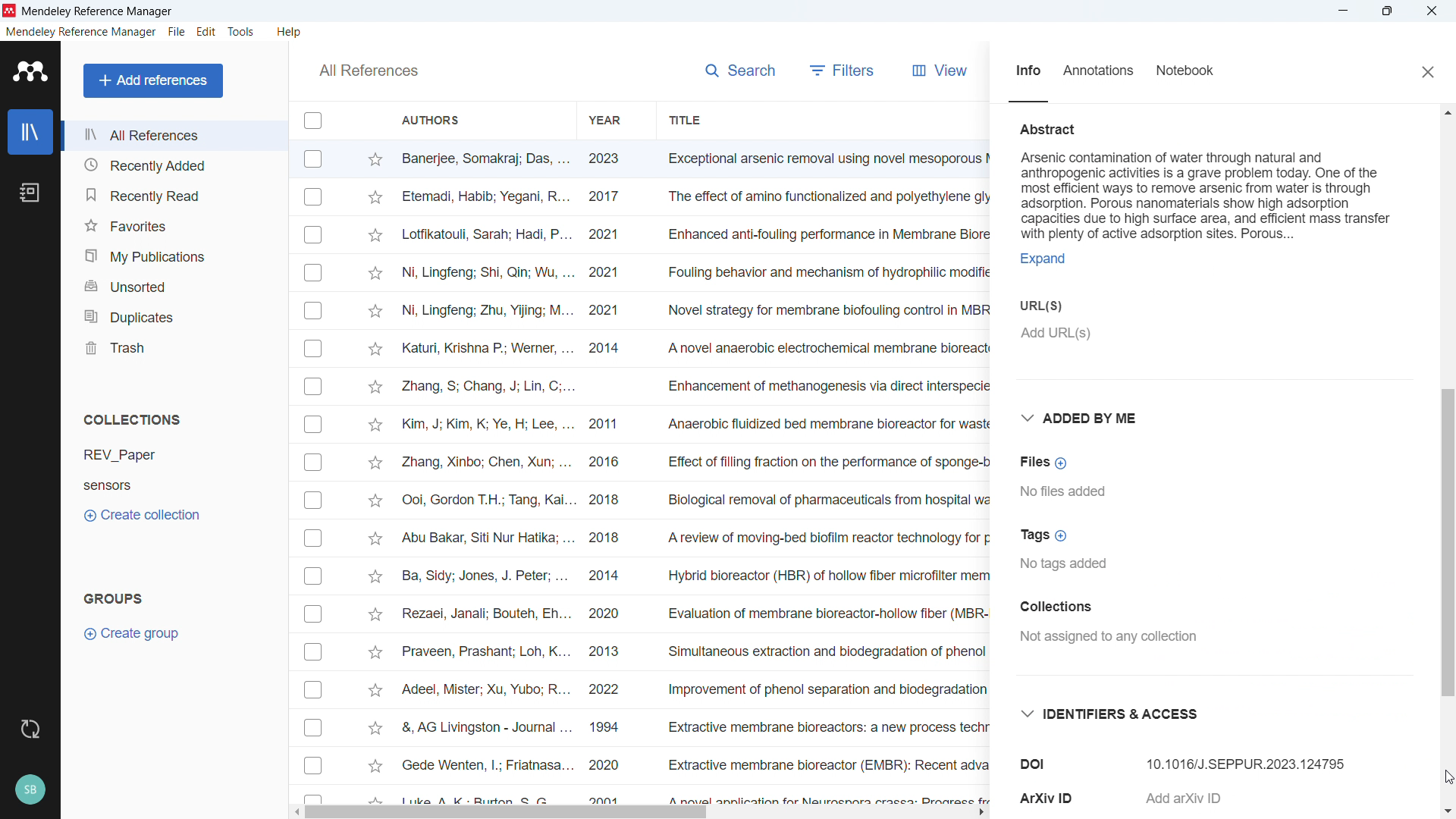 The height and width of the screenshot is (819, 1456). What do you see at coordinates (376, 799) in the screenshot?
I see `click to starmark individuals entries` at bounding box center [376, 799].